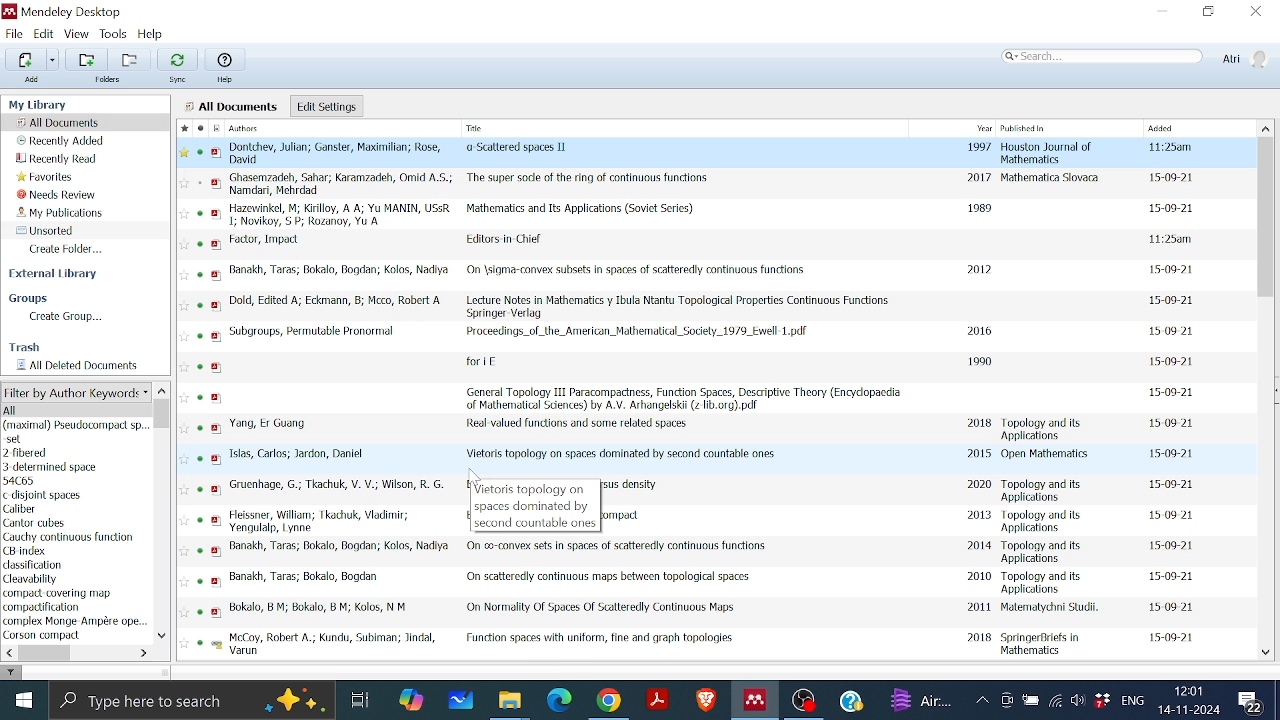 This screenshot has height=720, width=1280. I want to click on pdf, so click(216, 277).